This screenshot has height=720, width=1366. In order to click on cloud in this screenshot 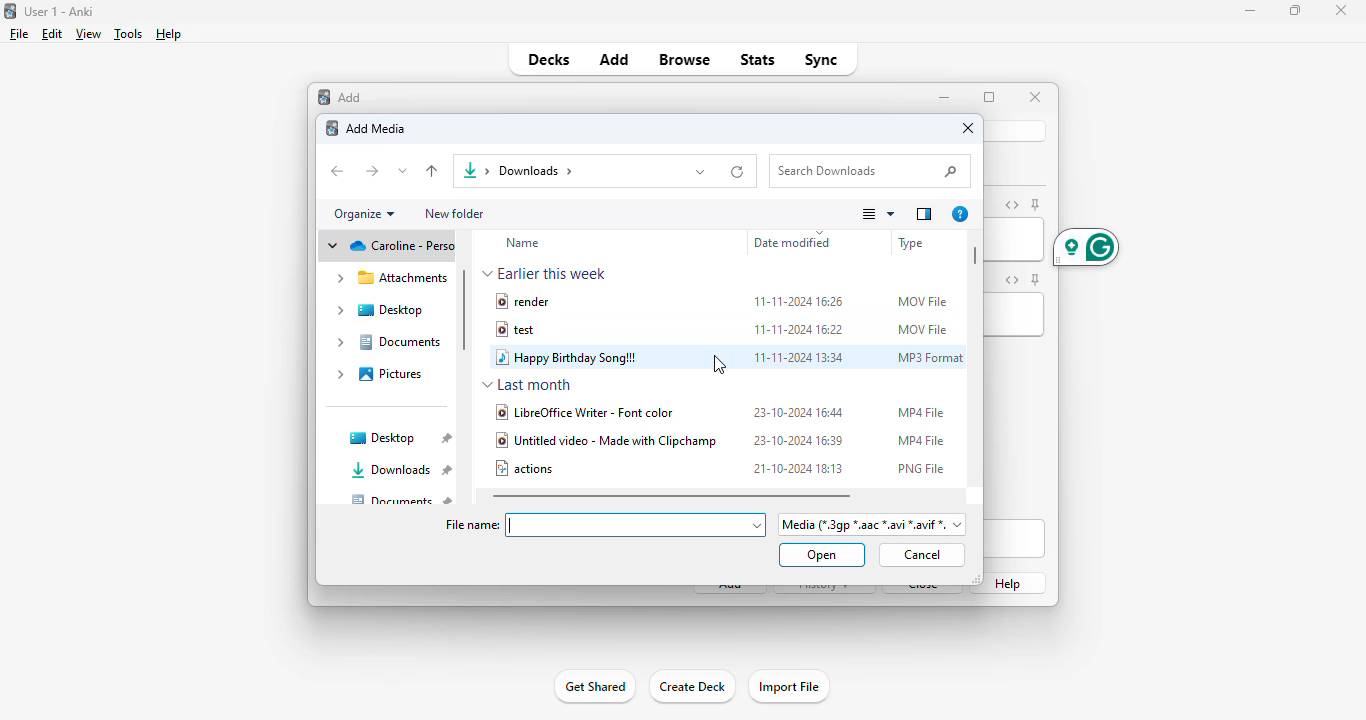, I will do `click(388, 246)`.